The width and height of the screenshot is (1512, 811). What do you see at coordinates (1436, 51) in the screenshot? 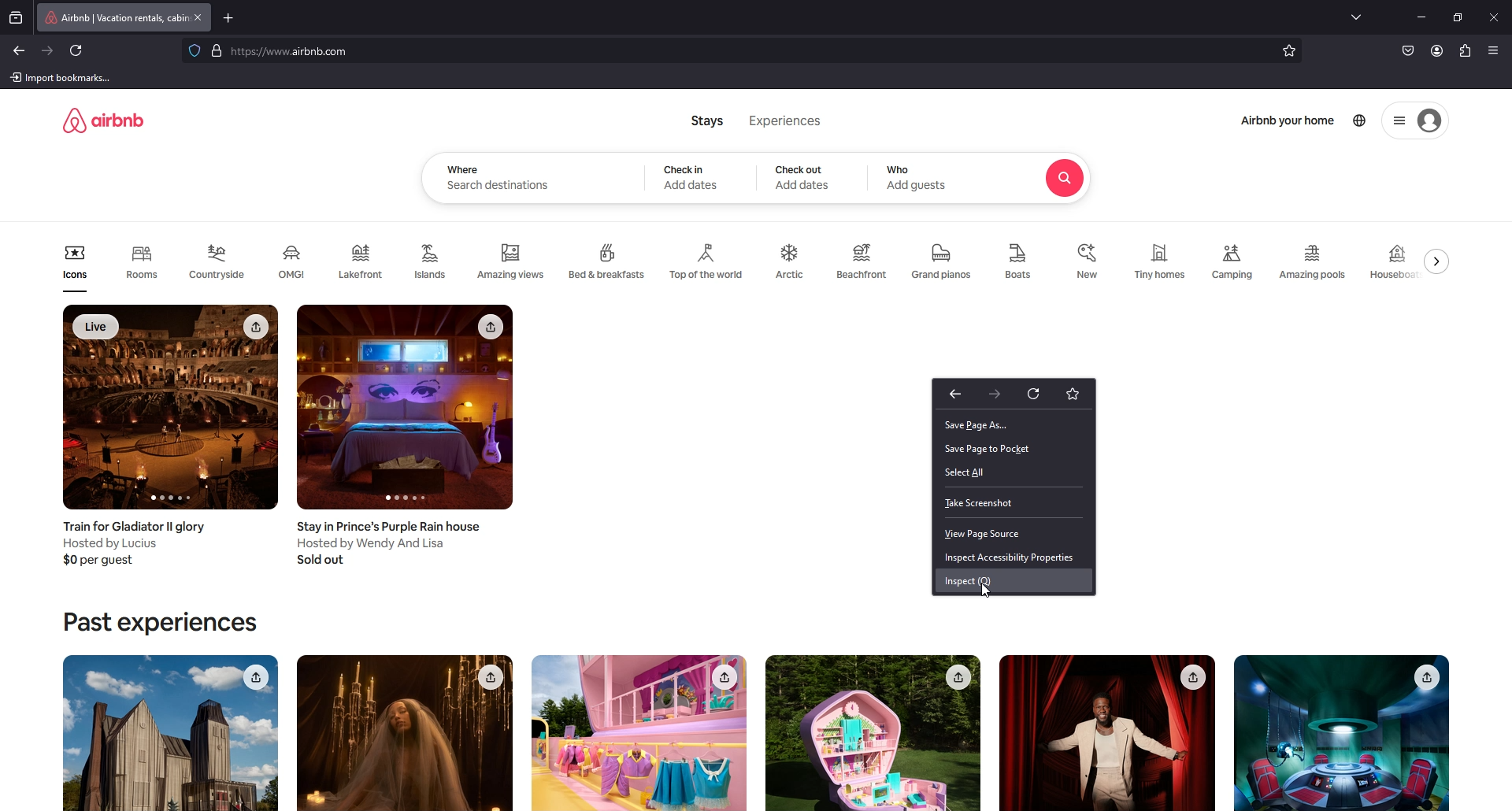
I see `profile` at bounding box center [1436, 51].